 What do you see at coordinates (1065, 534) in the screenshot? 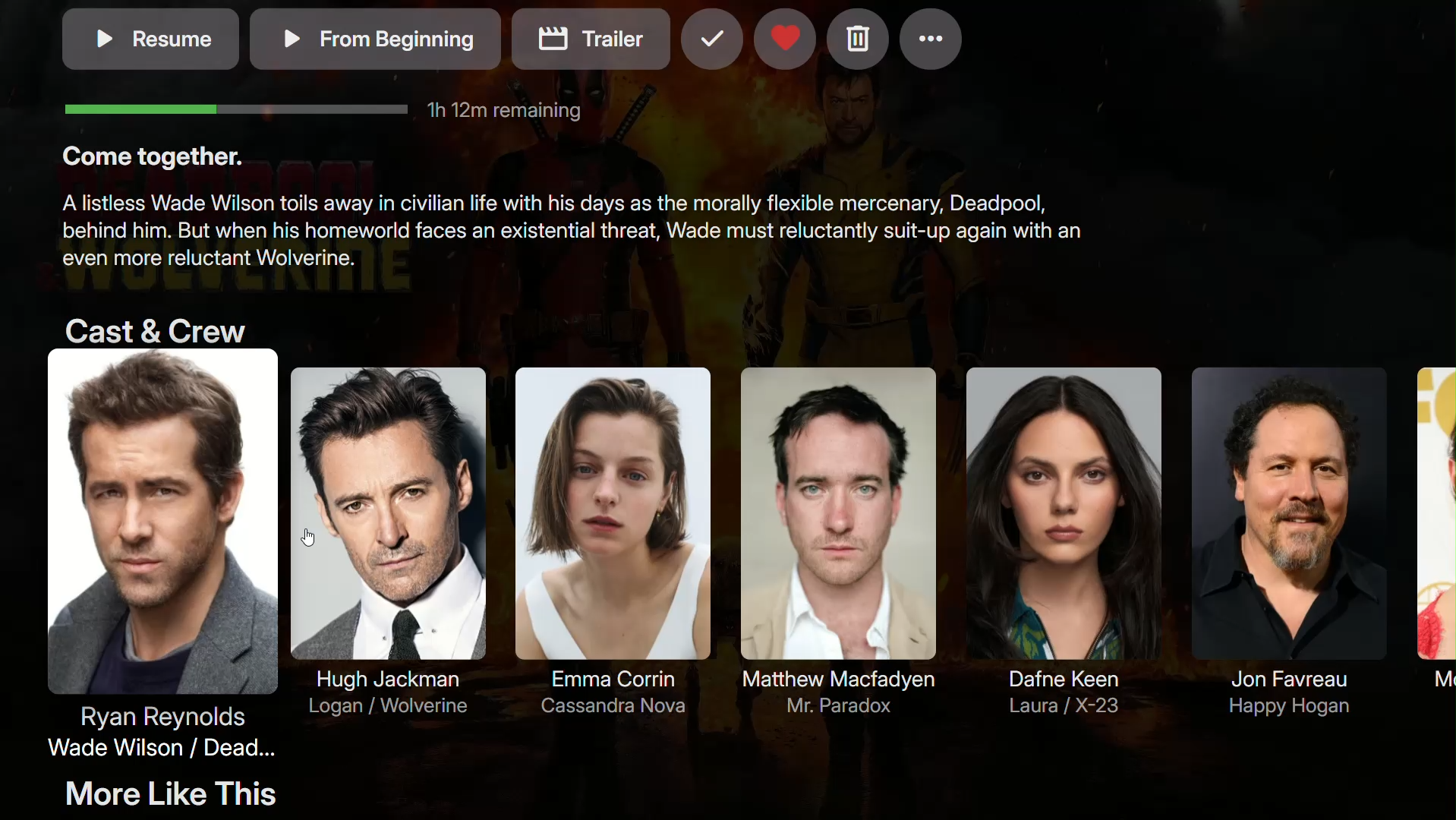
I see `Dafne Keene` at bounding box center [1065, 534].